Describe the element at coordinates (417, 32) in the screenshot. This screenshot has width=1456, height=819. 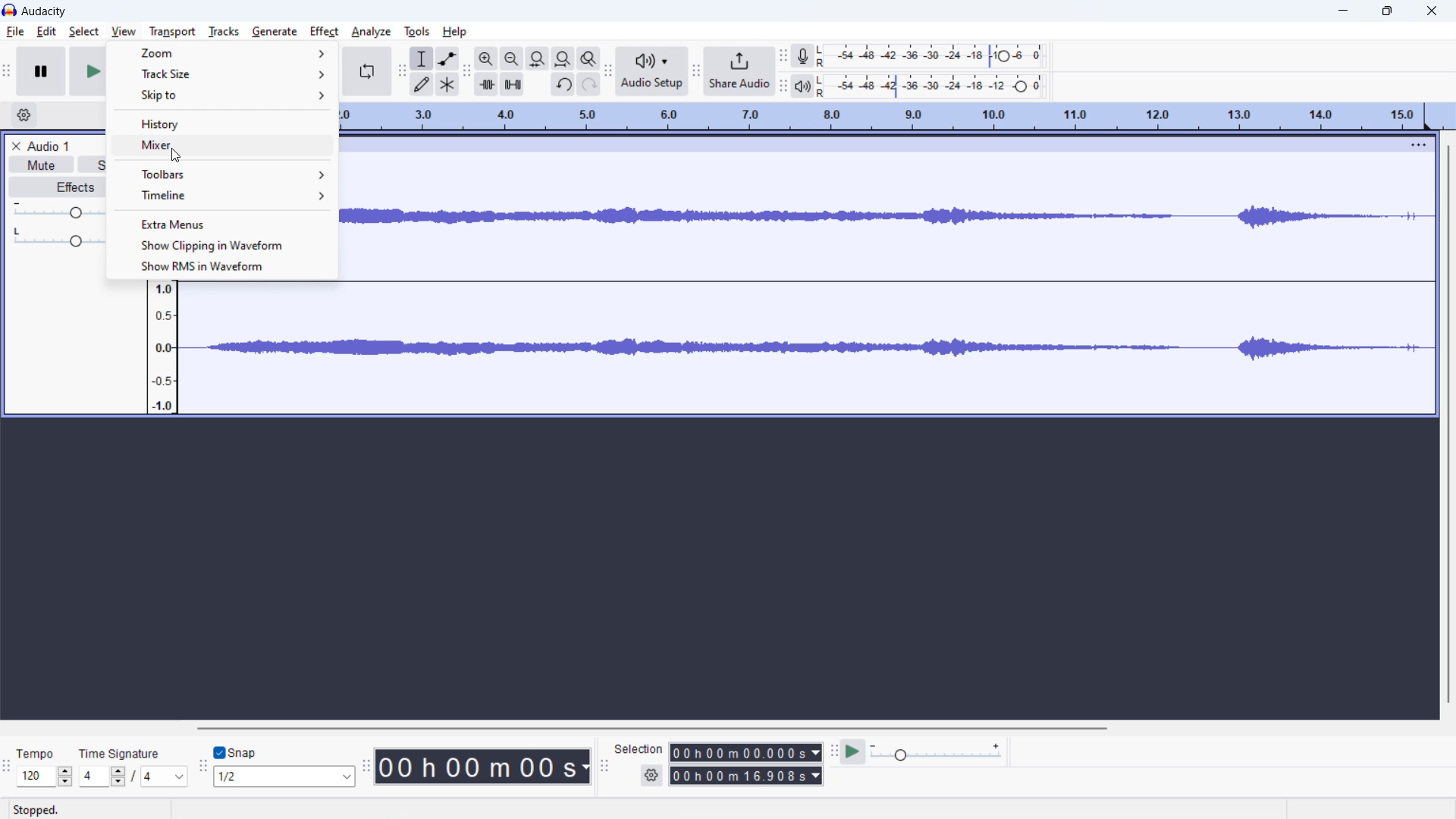
I see `tools` at that location.